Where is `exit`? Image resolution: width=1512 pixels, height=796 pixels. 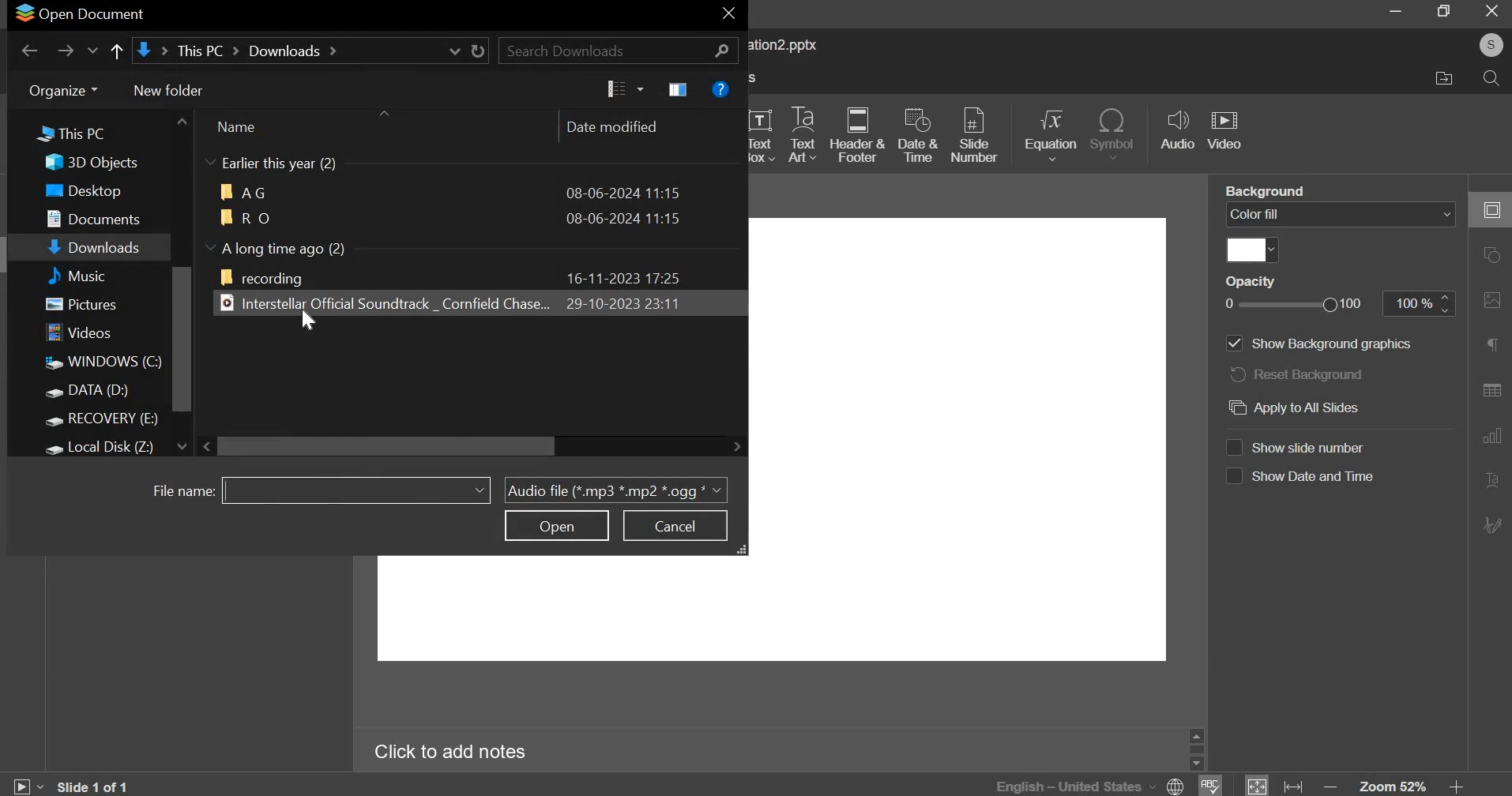
exit is located at coordinates (1492, 11).